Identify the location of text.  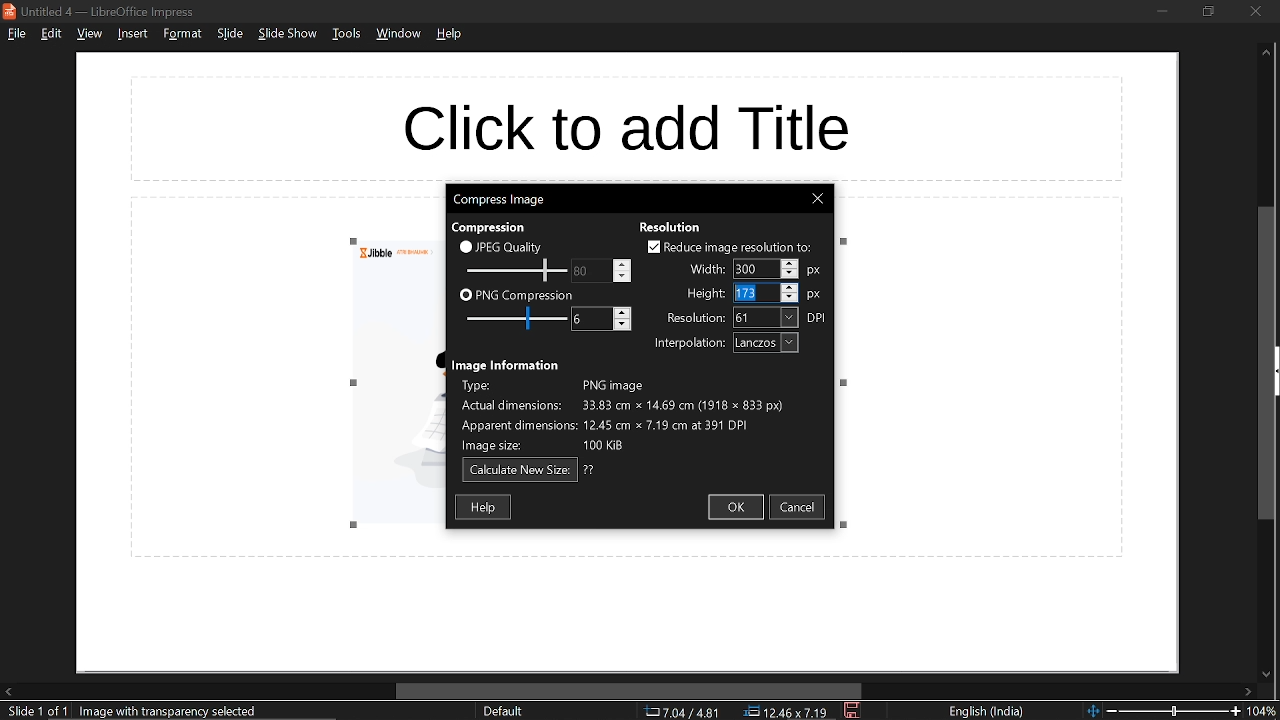
(506, 364).